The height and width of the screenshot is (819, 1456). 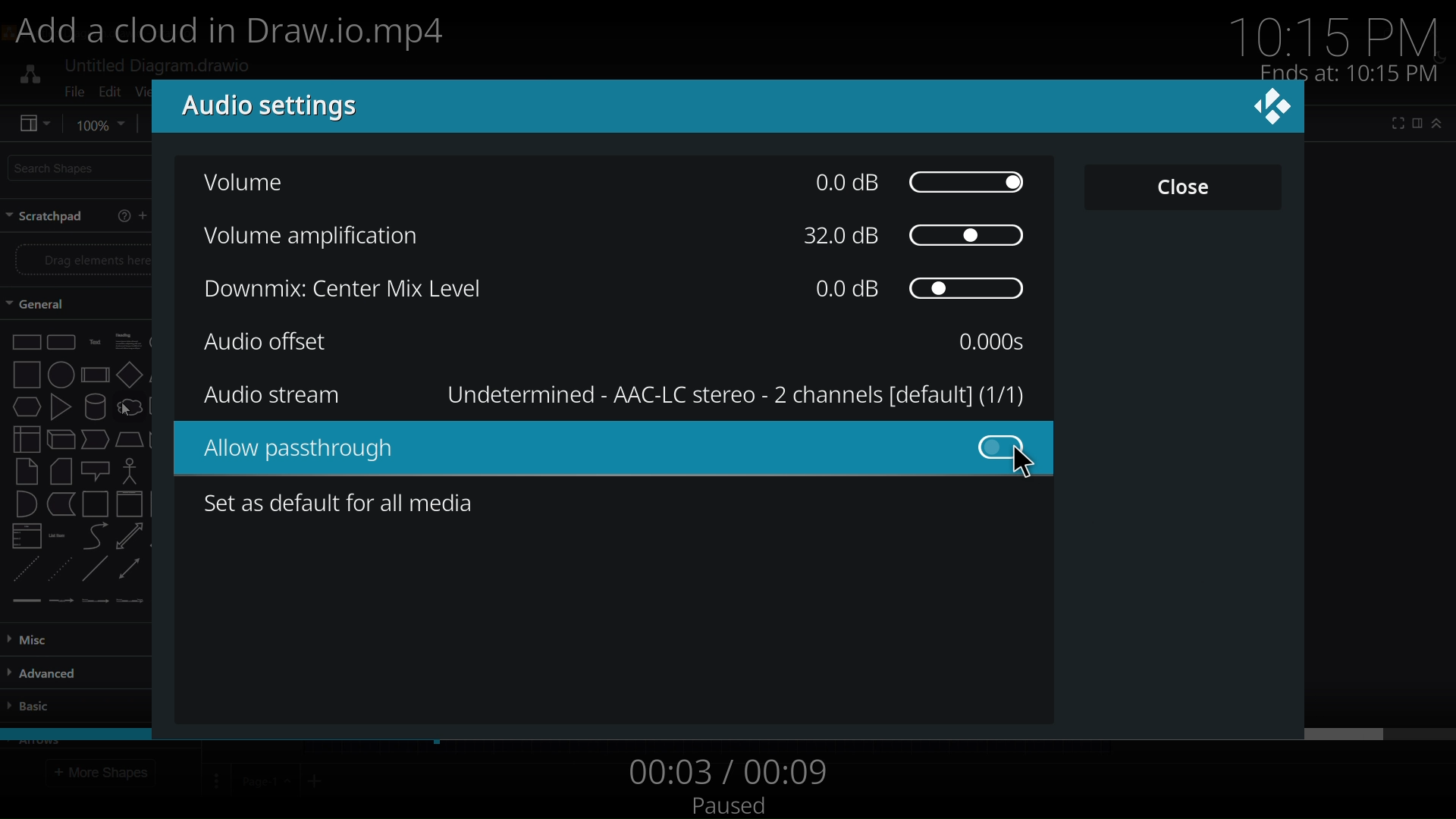 What do you see at coordinates (738, 802) in the screenshot?
I see `paused` at bounding box center [738, 802].